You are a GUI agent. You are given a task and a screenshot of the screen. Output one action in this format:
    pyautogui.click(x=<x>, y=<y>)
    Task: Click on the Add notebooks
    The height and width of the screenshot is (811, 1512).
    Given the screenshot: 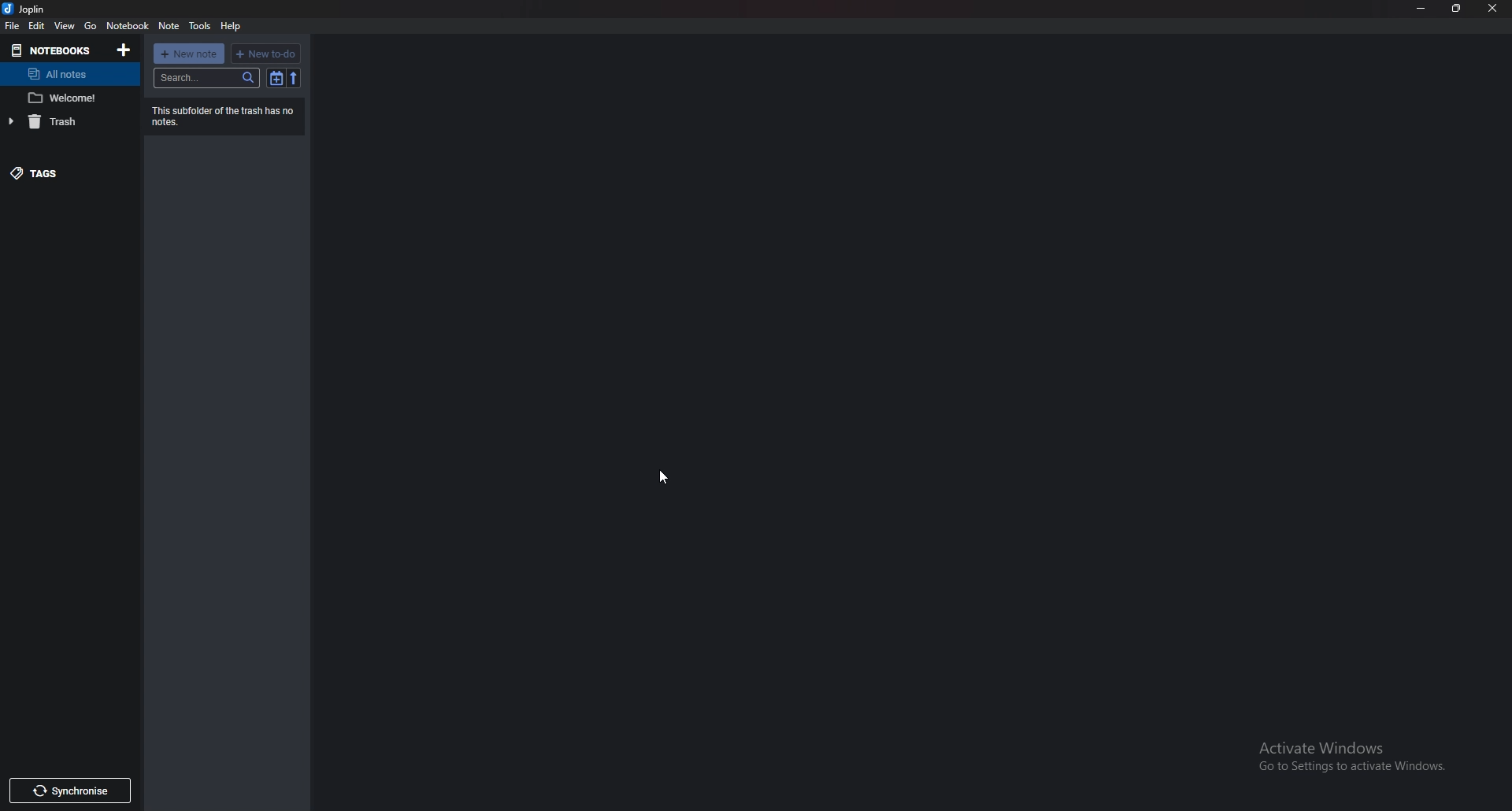 What is the action you would take?
    pyautogui.click(x=126, y=50)
    